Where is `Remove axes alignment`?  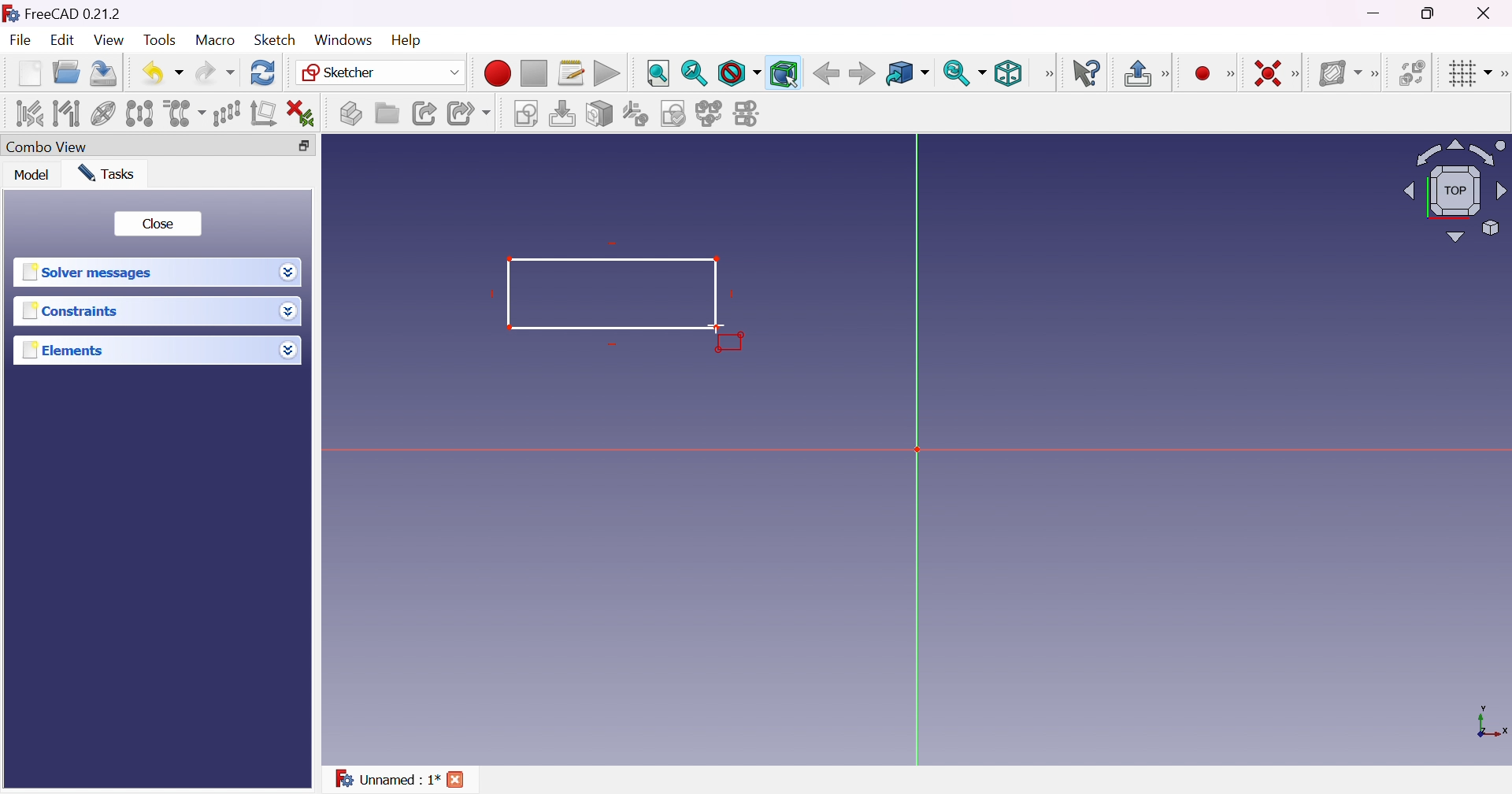 Remove axes alignment is located at coordinates (262, 114).